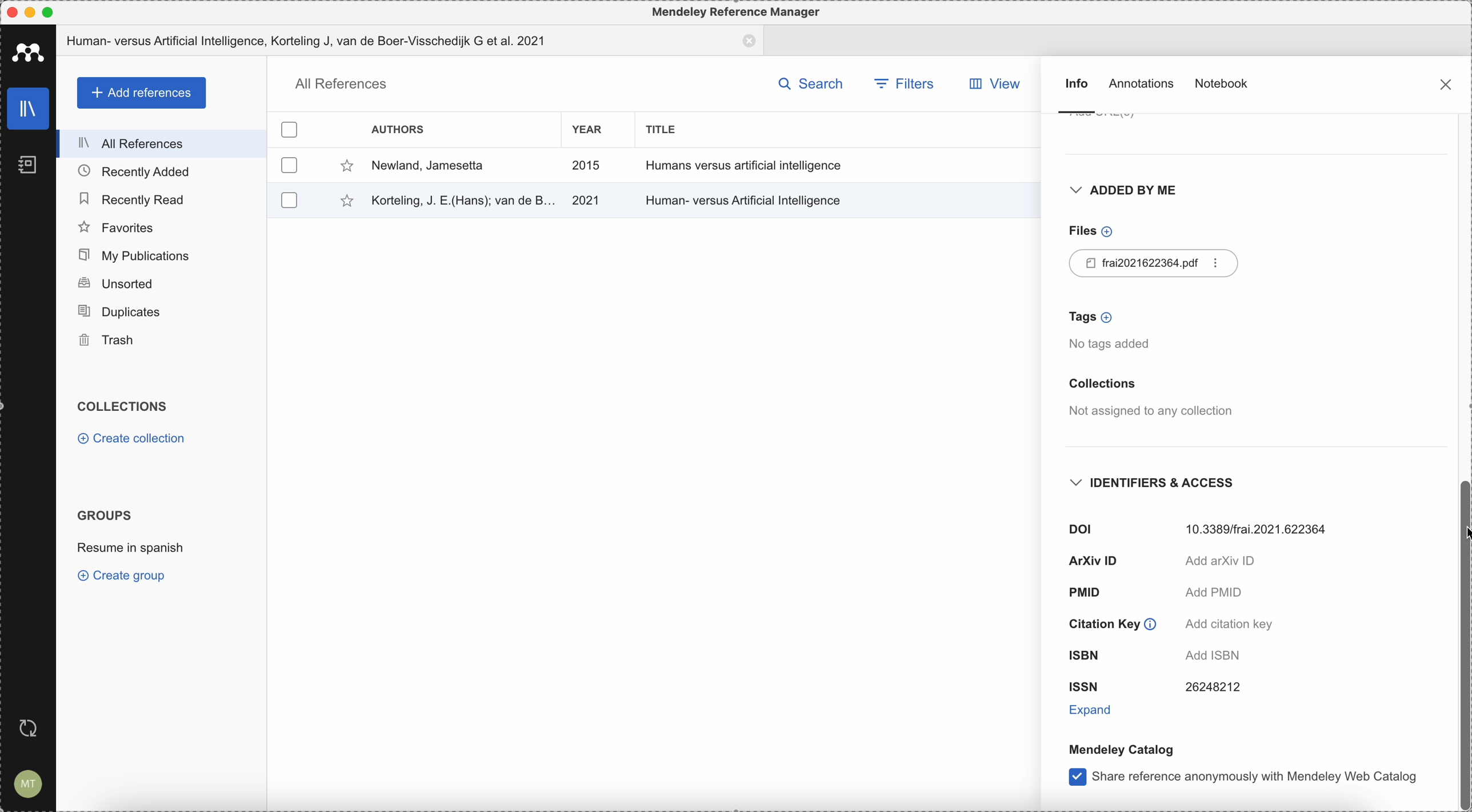 This screenshot has width=1472, height=812. What do you see at coordinates (161, 341) in the screenshot?
I see `trash` at bounding box center [161, 341].